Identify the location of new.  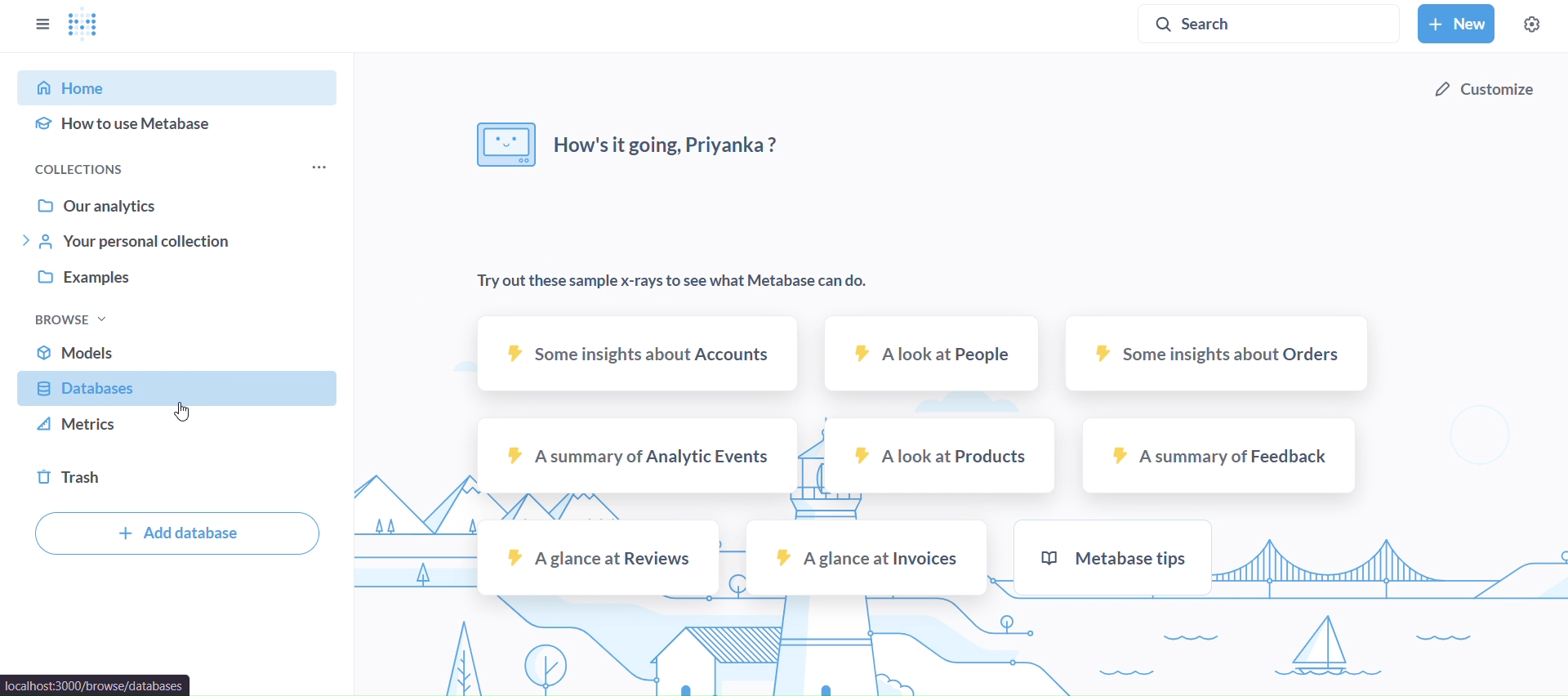
(1457, 24).